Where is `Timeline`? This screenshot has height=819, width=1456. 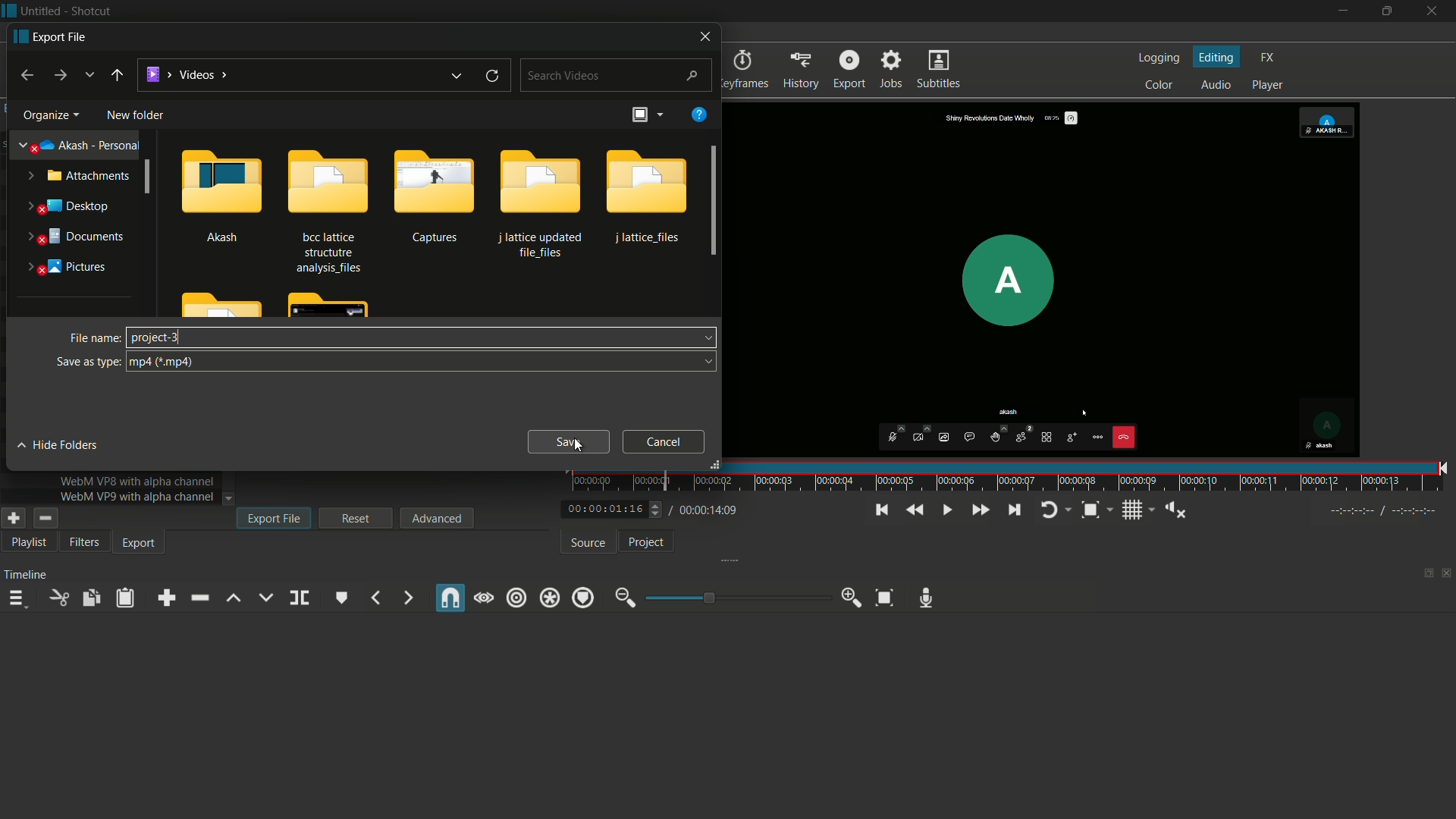 Timeline is located at coordinates (29, 573).